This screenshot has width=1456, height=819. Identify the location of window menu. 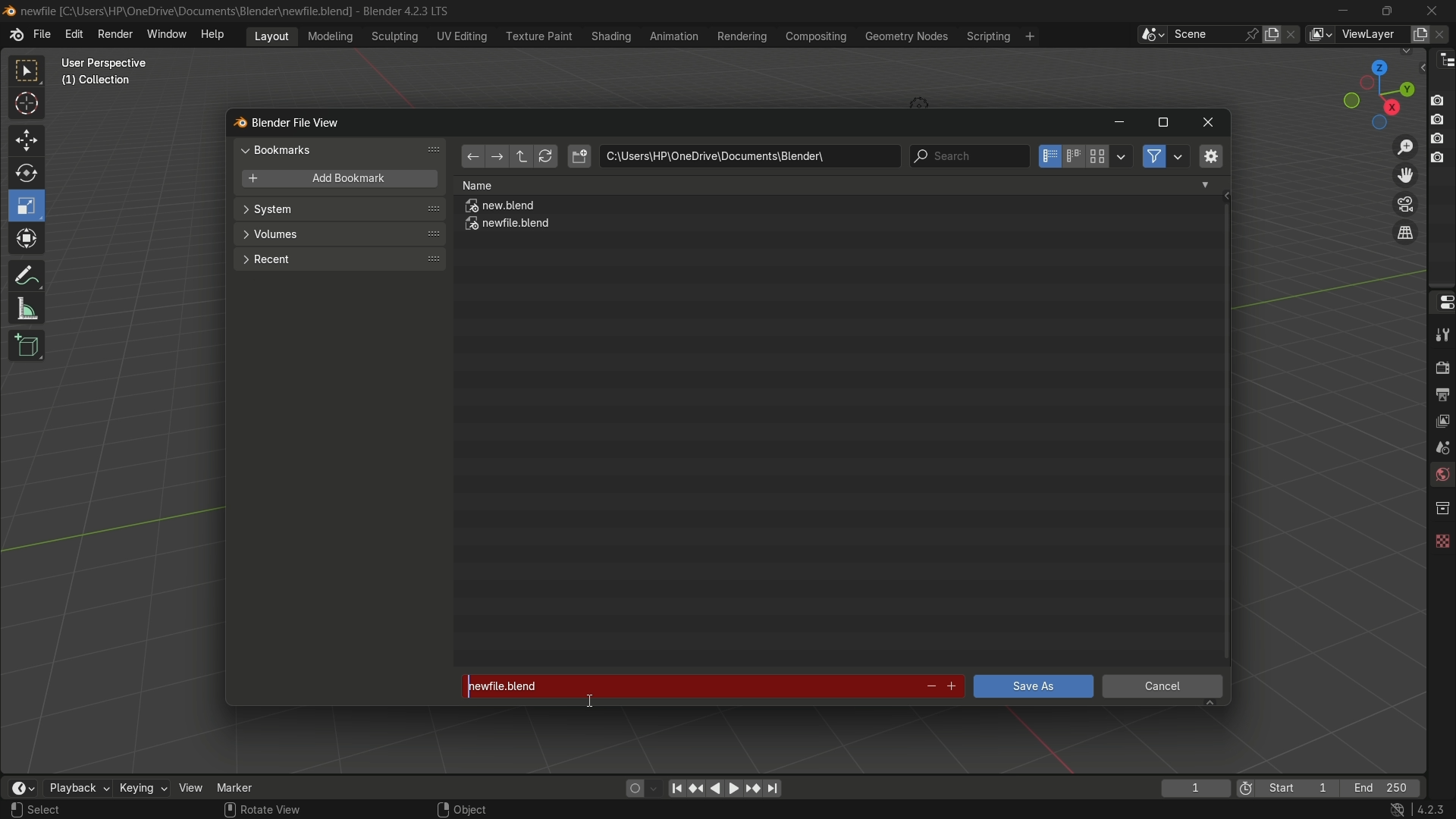
(168, 36).